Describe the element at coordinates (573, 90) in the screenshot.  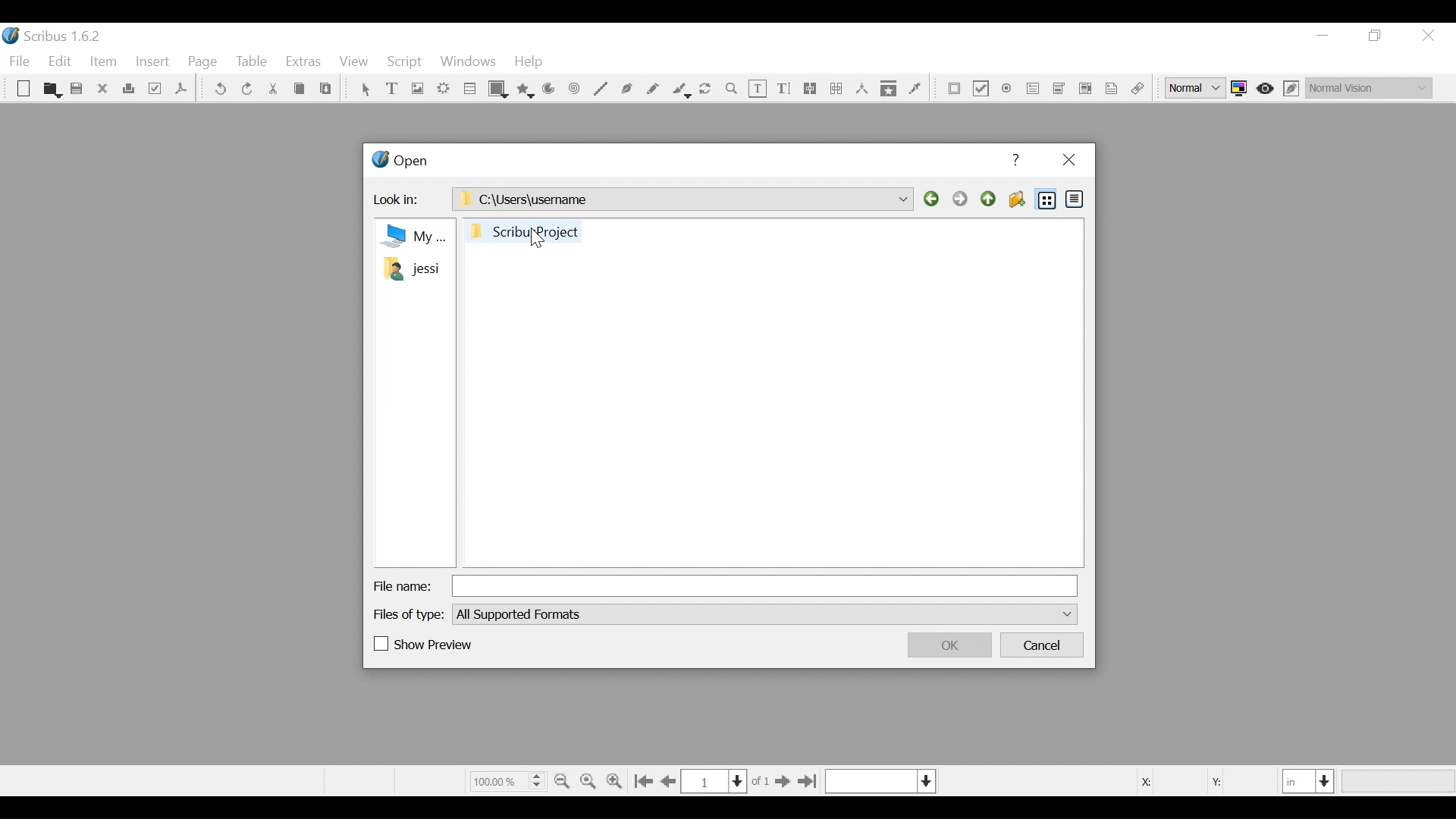
I see `Spiral ` at that location.